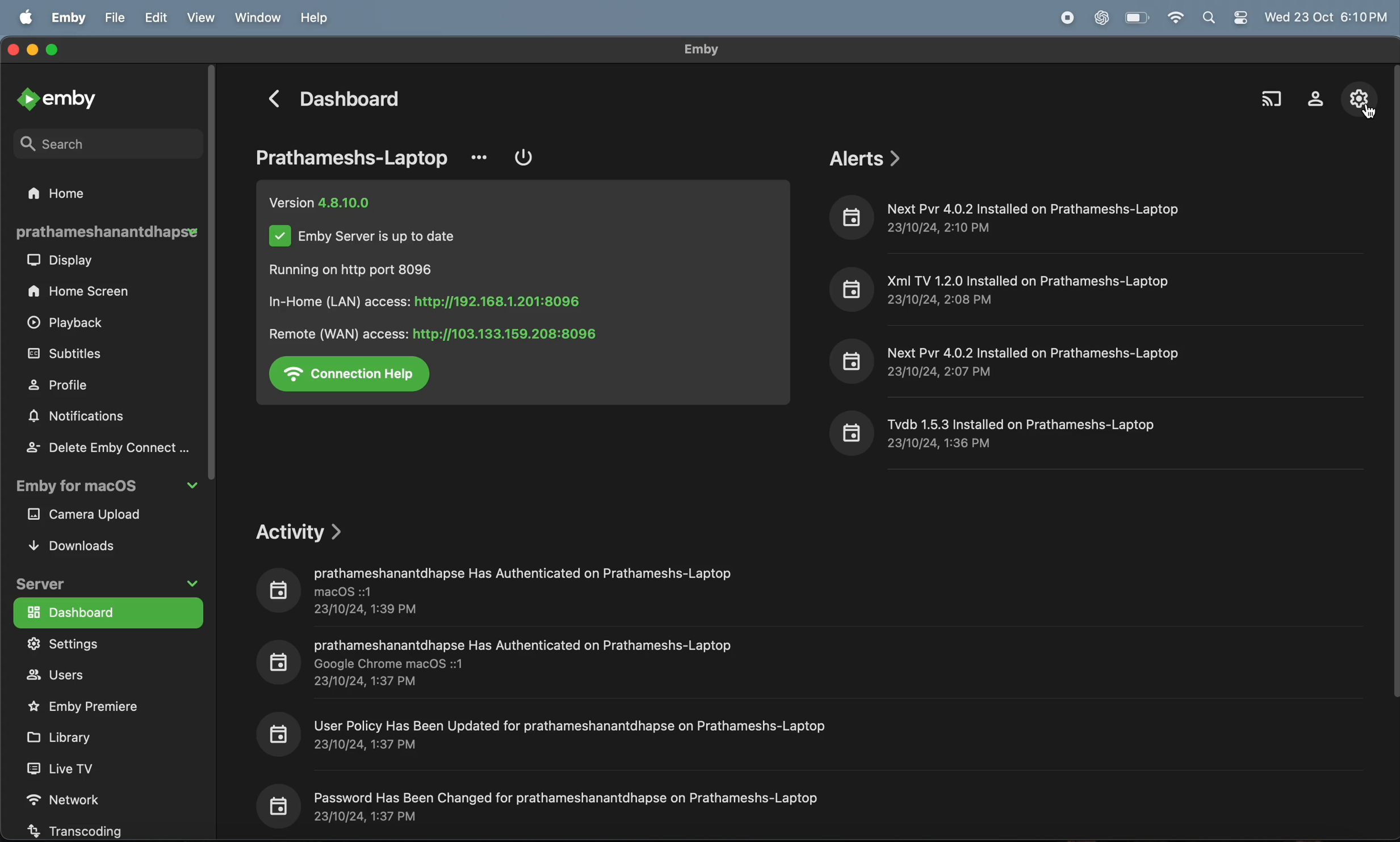  Describe the element at coordinates (336, 94) in the screenshot. I see `dashboard` at that location.